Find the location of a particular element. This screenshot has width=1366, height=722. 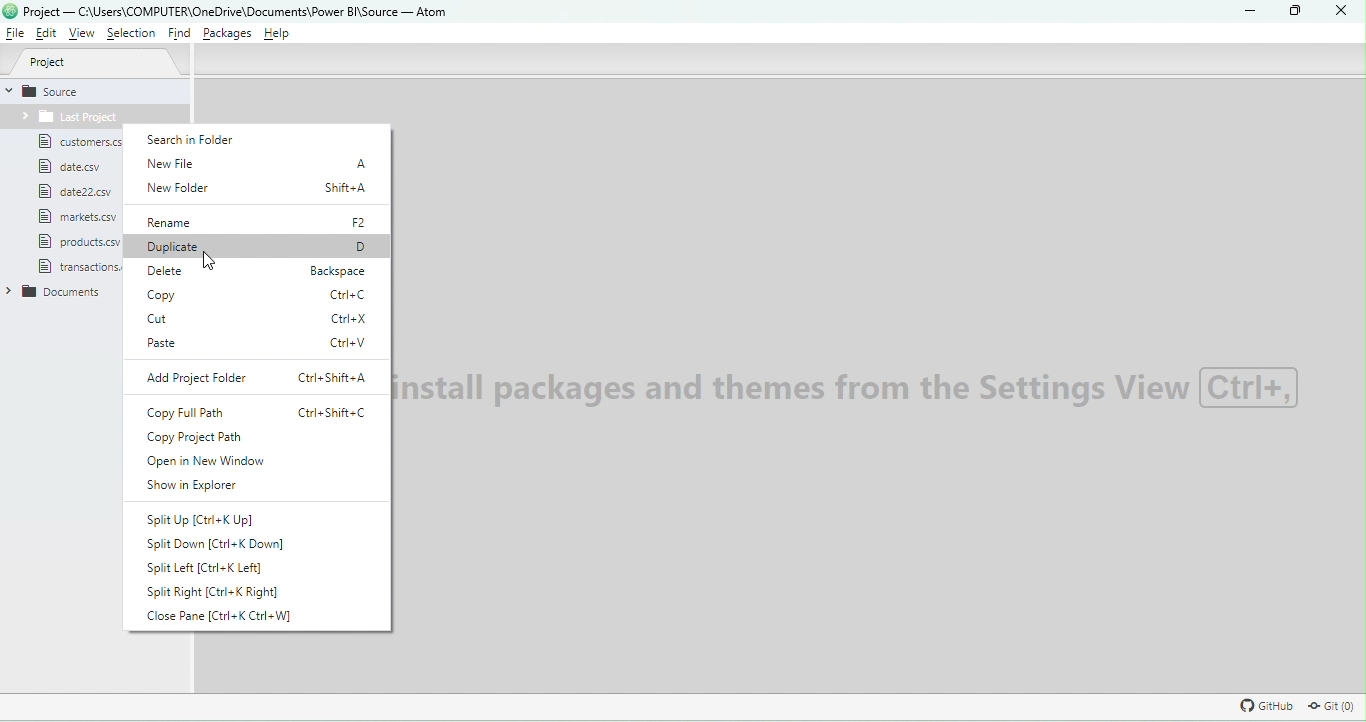

Git repository is located at coordinates (1325, 706).